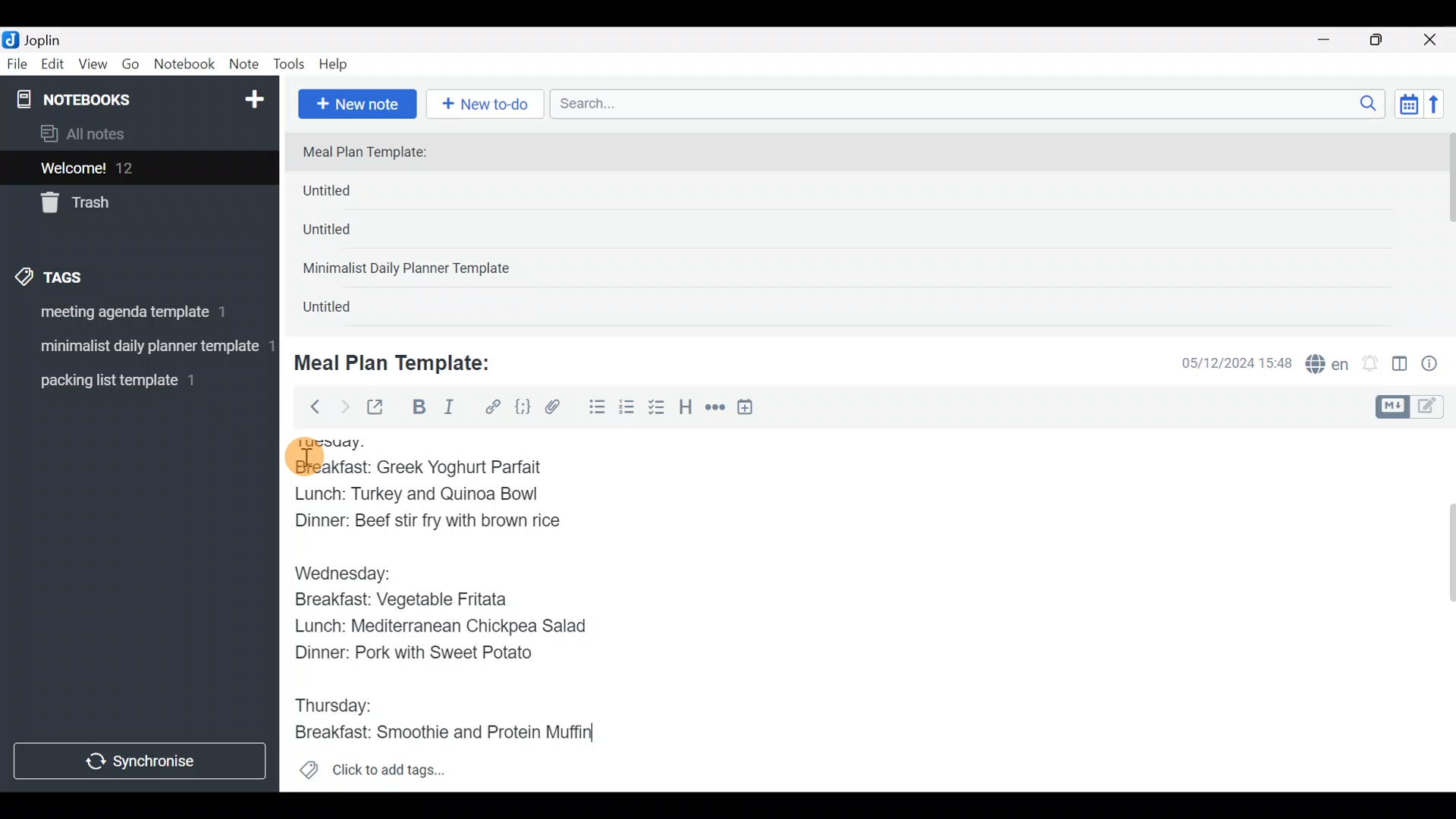  What do you see at coordinates (18, 64) in the screenshot?
I see `File` at bounding box center [18, 64].